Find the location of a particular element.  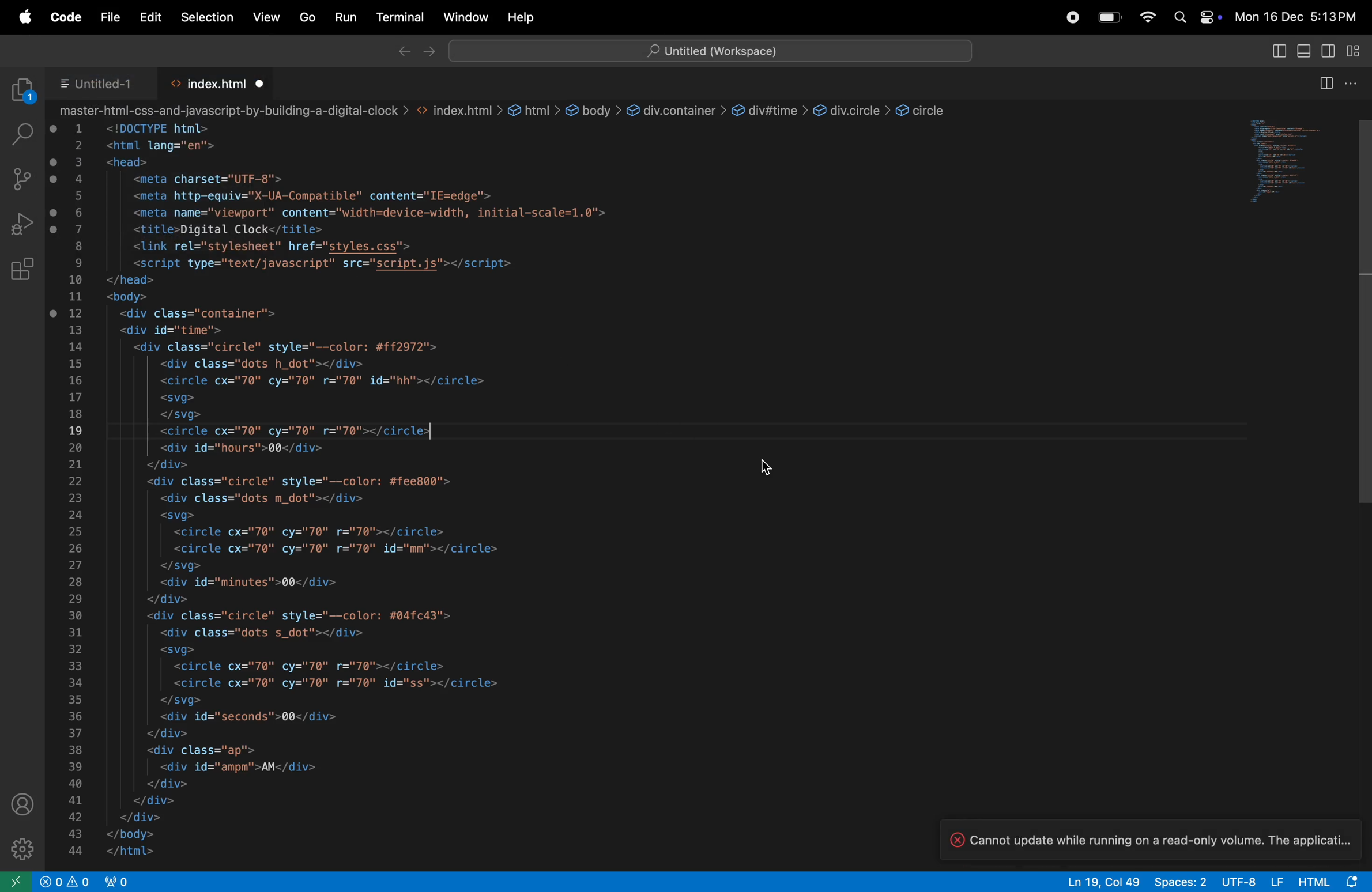

forward is located at coordinates (429, 50).